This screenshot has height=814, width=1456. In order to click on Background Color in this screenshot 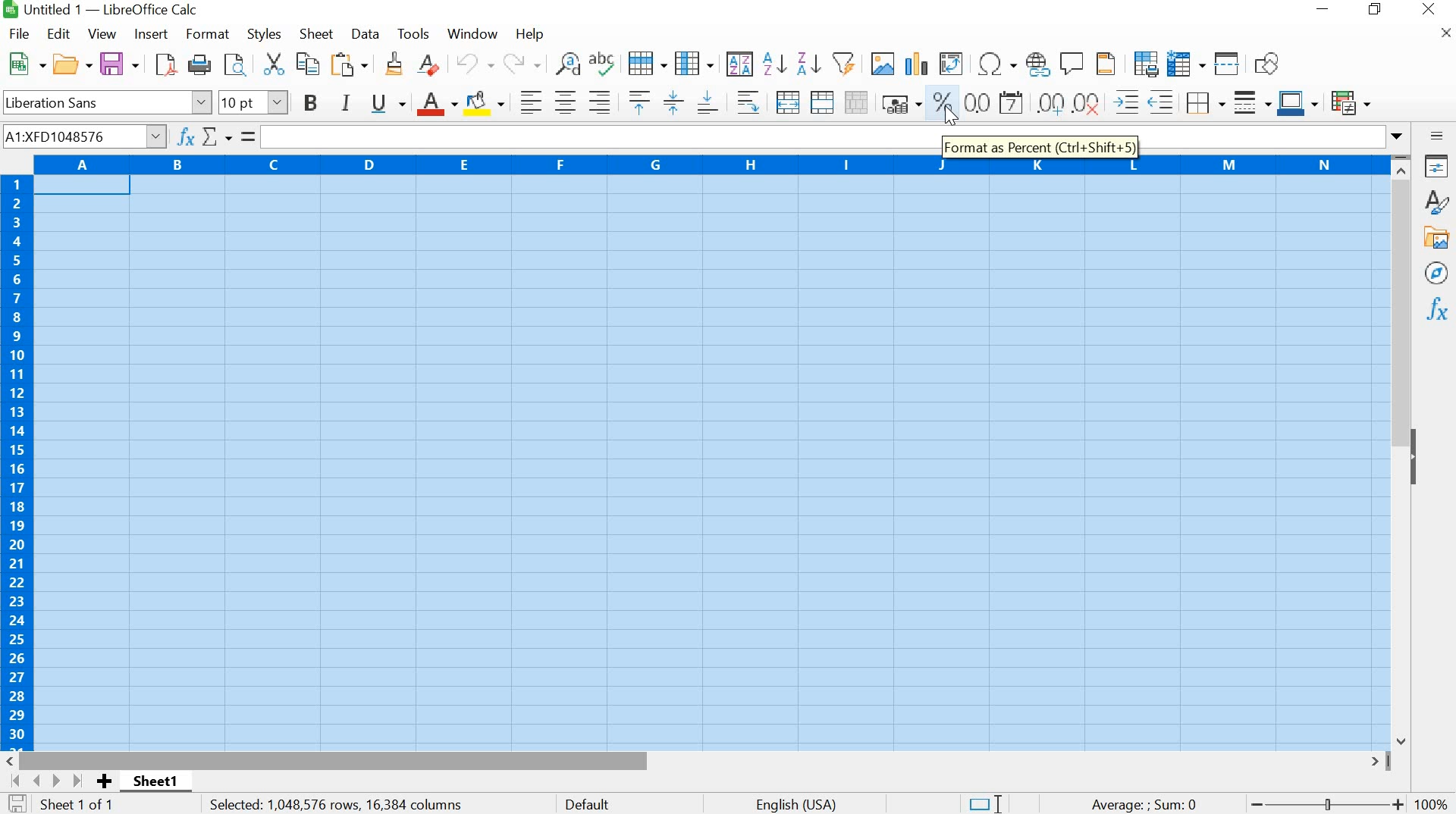, I will do `click(485, 103)`.